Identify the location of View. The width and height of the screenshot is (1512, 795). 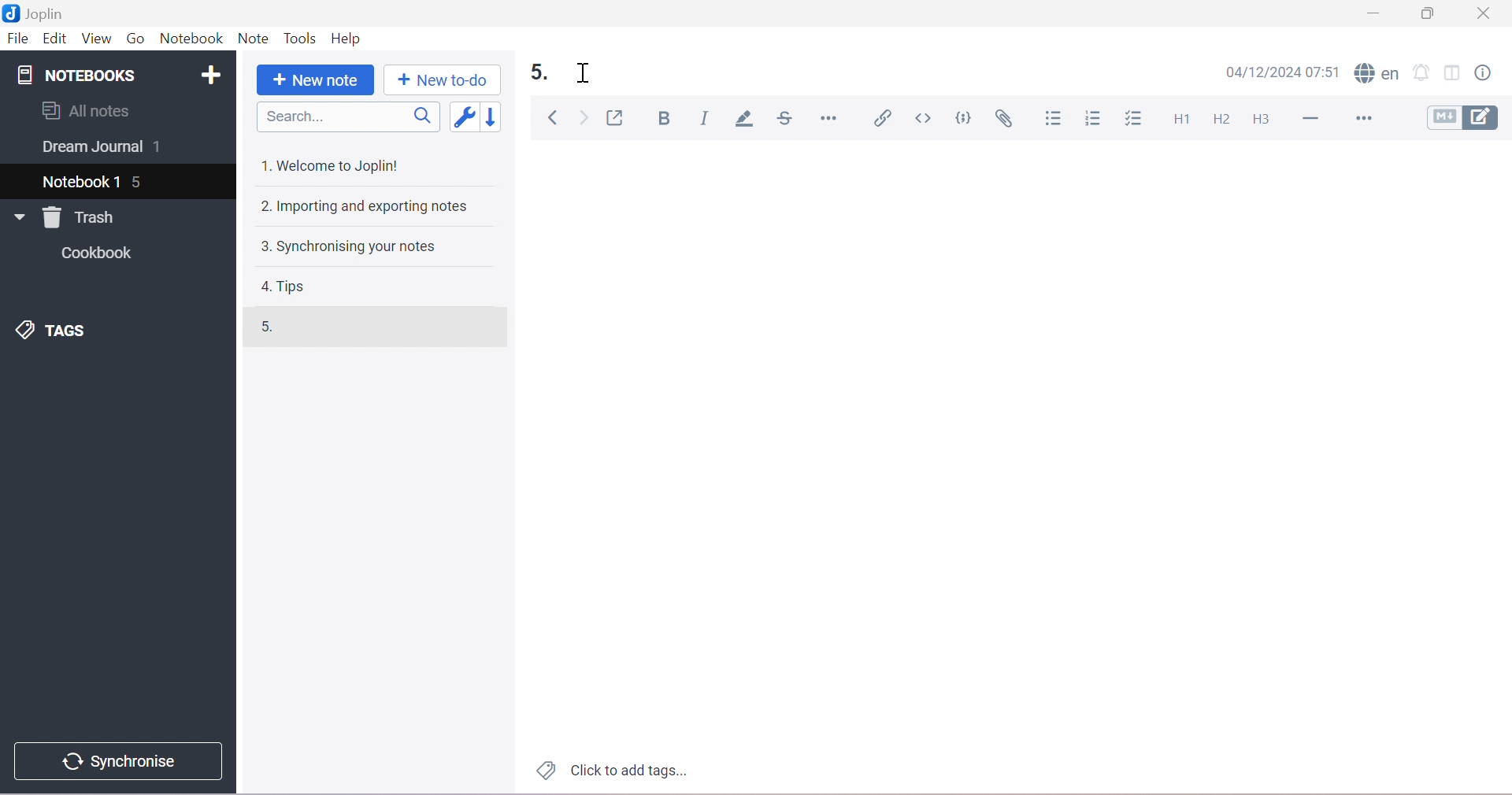
(95, 38).